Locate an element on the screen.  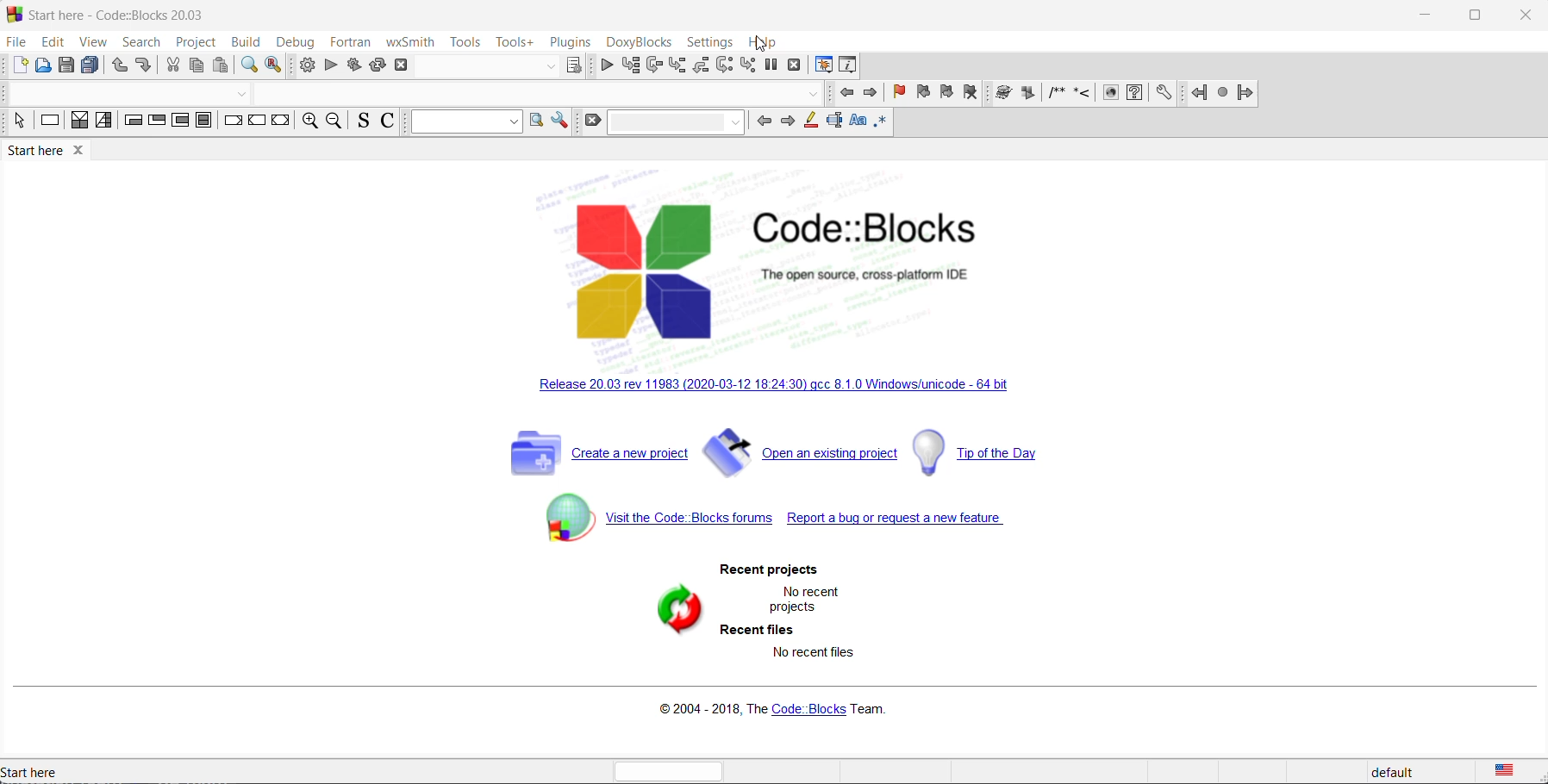
block instruction is located at coordinates (203, 121).